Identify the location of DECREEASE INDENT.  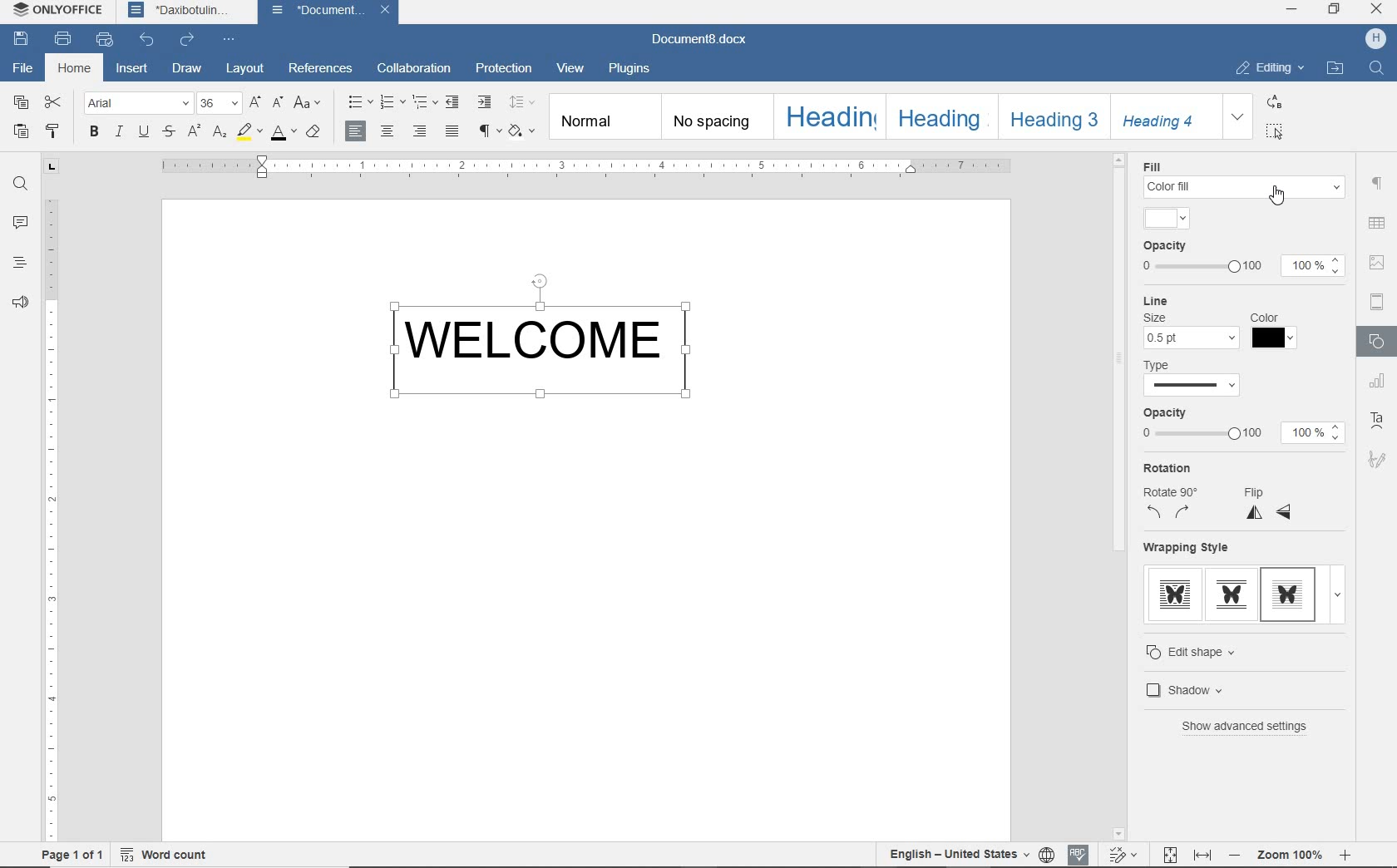
(453, 102).